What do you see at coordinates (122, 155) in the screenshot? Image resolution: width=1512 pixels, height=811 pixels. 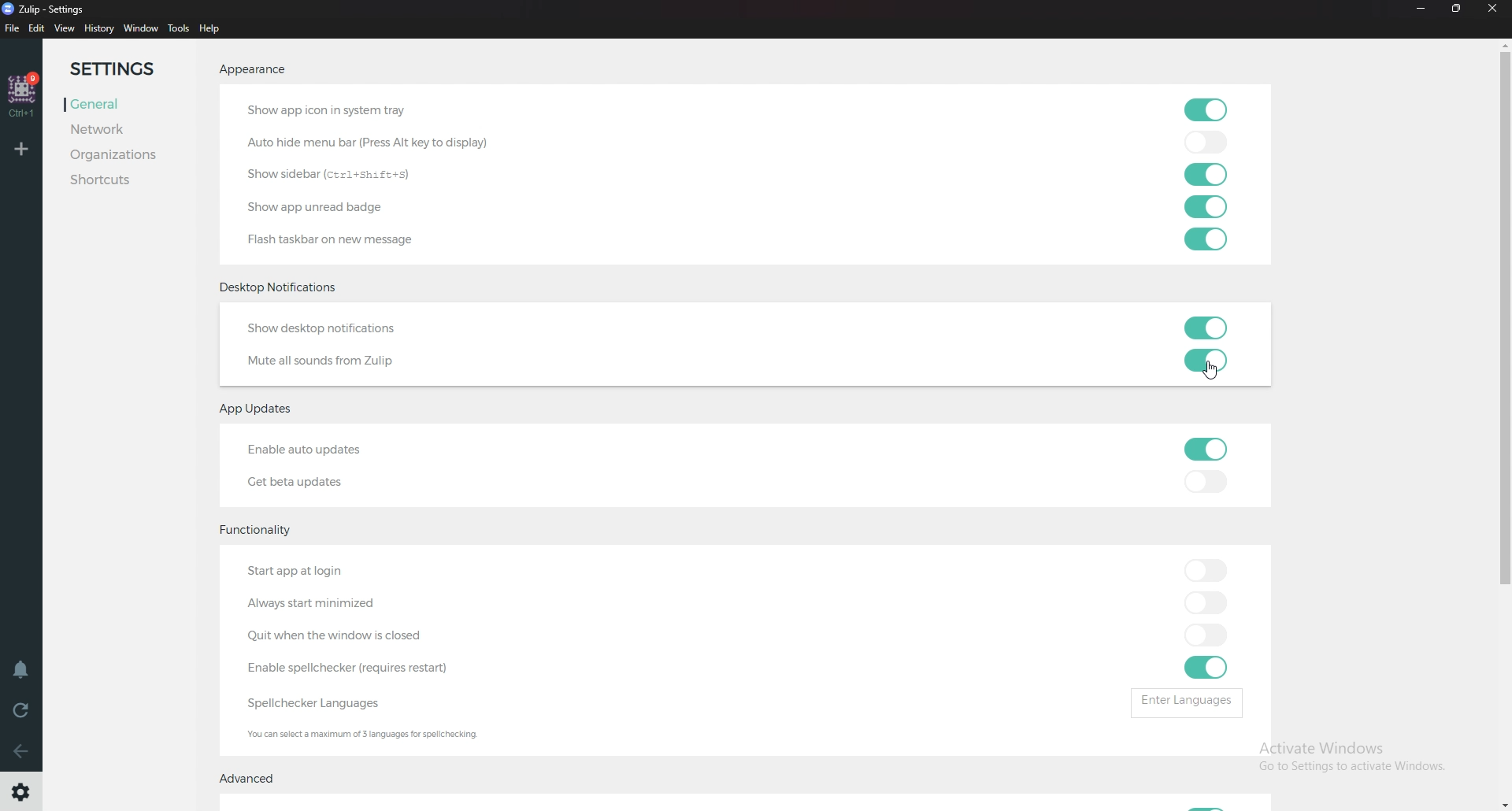 I see `Organizations` at bounding box center [122, 155].